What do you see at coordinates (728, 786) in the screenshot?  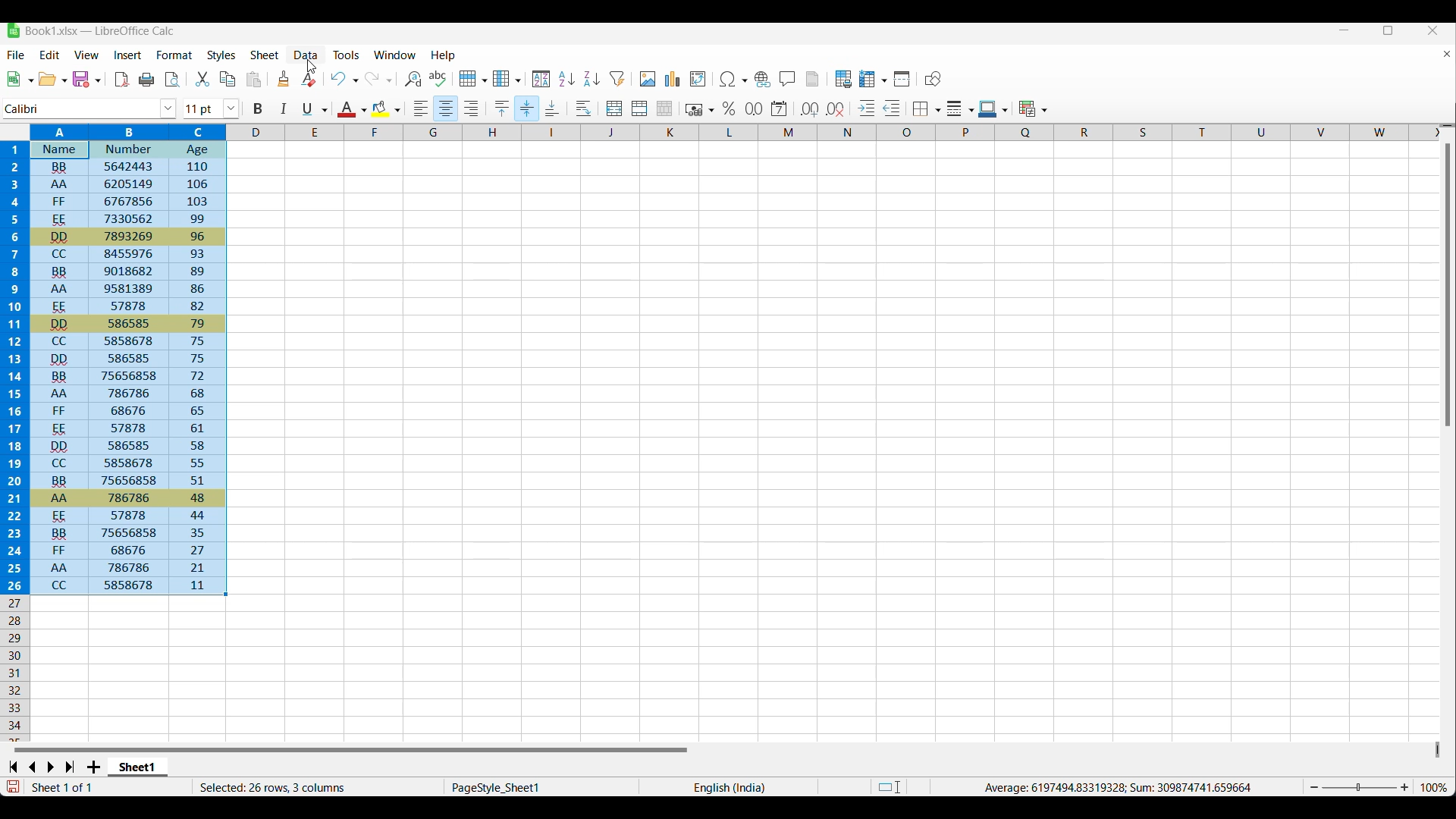 I see `Current language` at bounding box center [728, 786].